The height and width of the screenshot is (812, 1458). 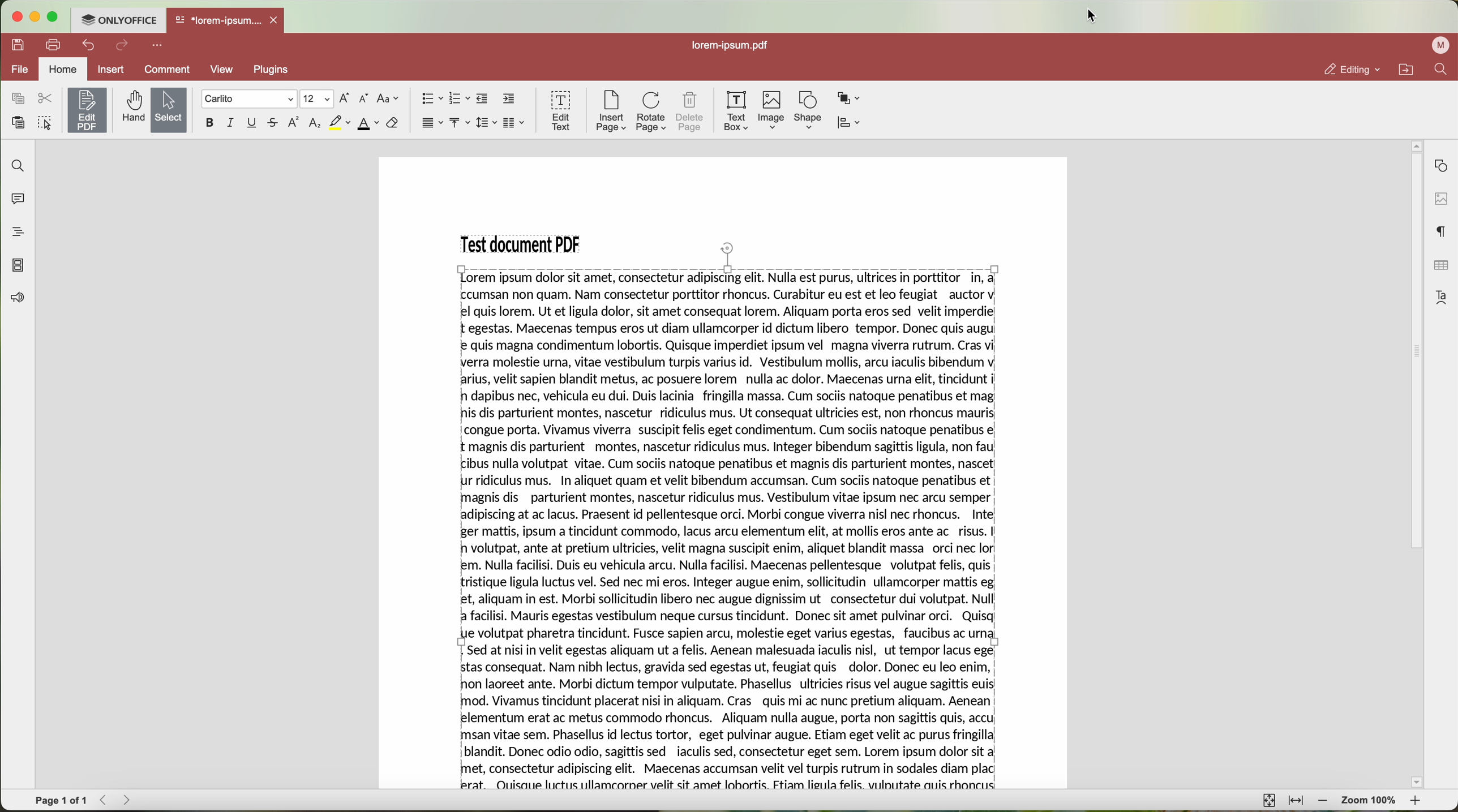 I want to click on font color, so click(x=368, y=124).